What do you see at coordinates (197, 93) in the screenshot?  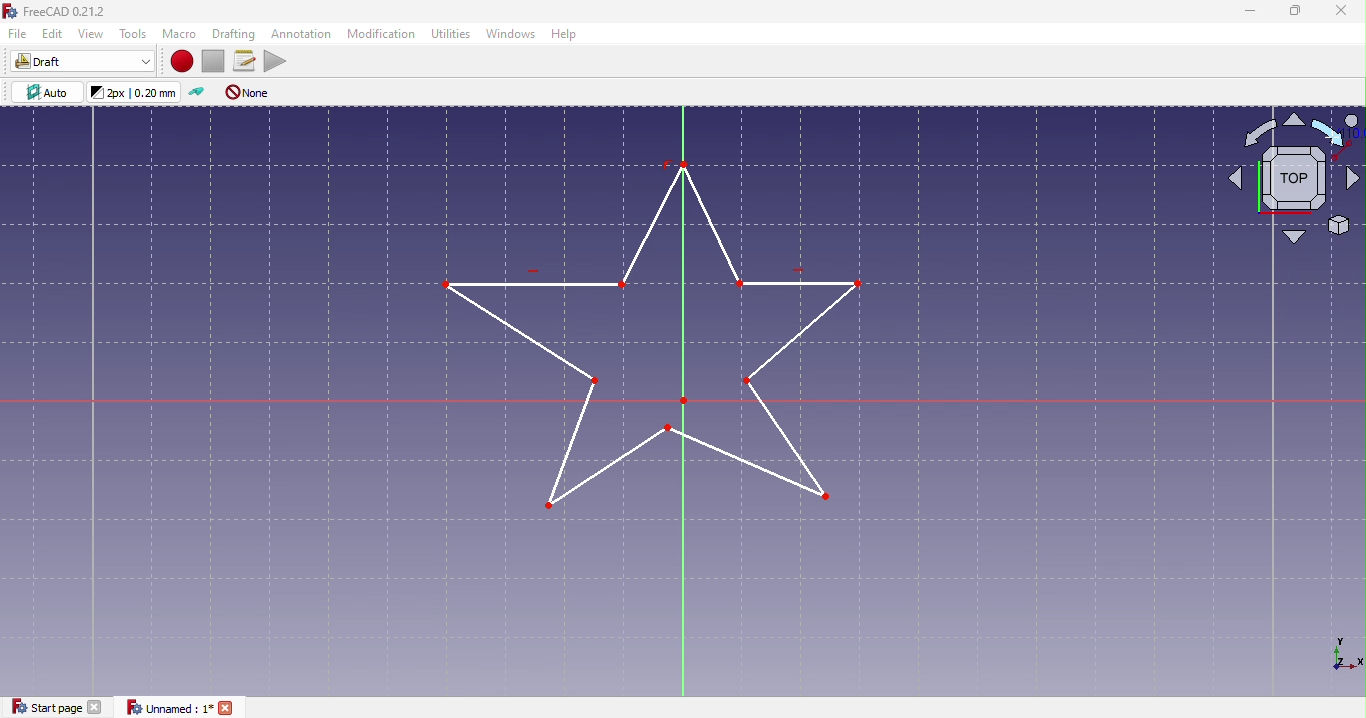 I see `Toggle construction mode` at bounding box center [197, 93].